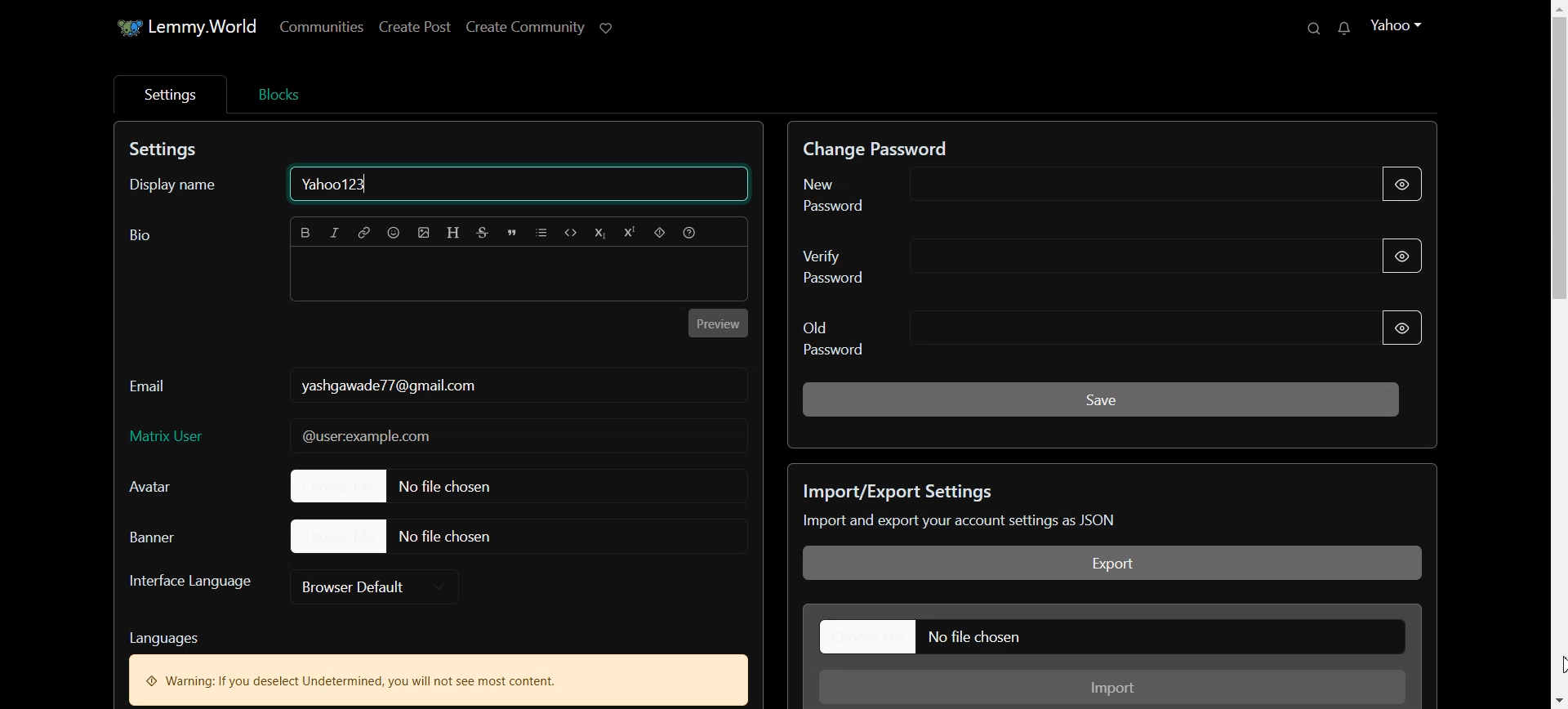 This screenshot has width=1568, height=709. What do you see at coordinates (394, 233) in the screenshot?
I see `Emoji` at bounding box center [394, 233].